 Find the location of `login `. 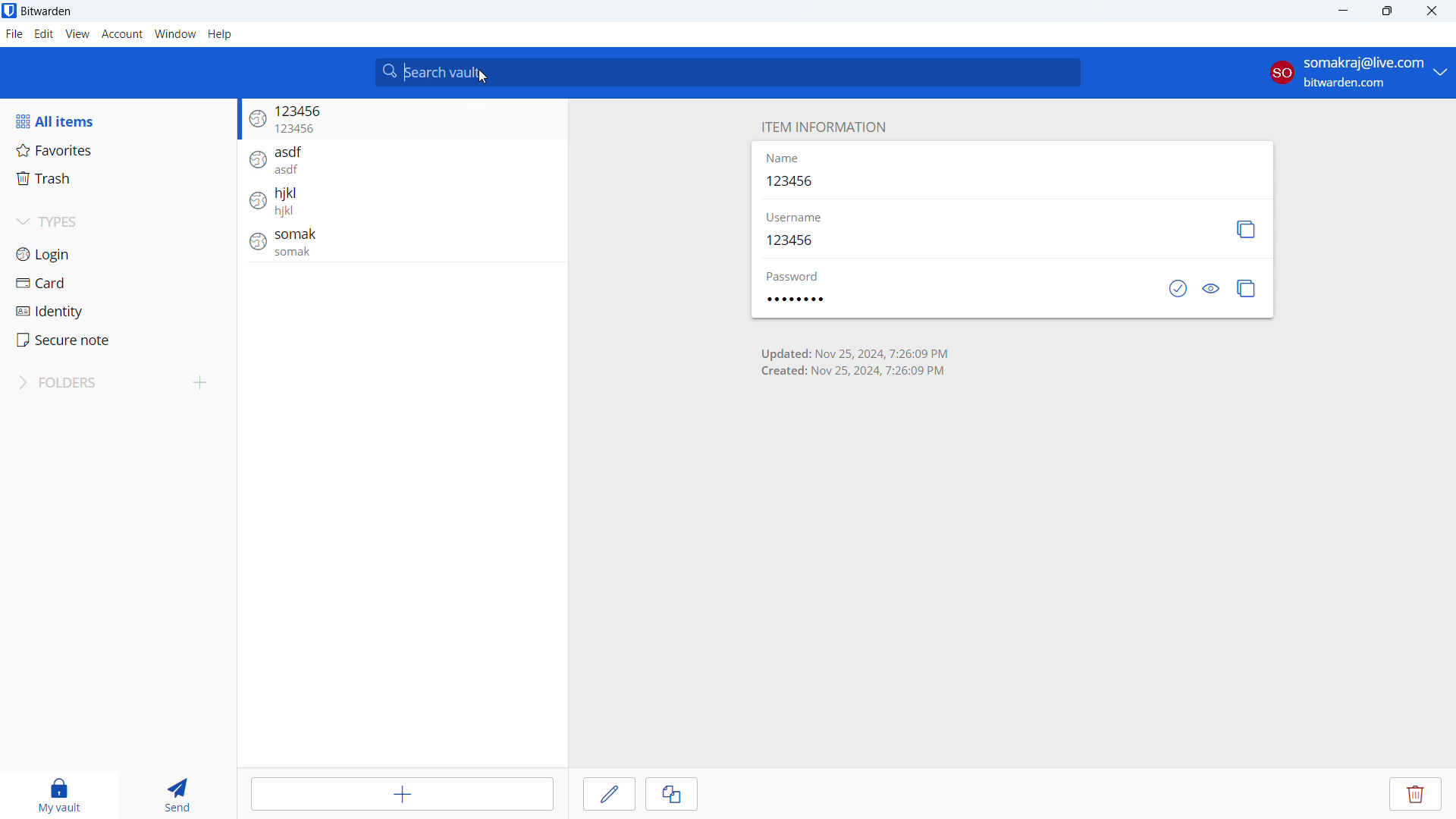

login  is located at coordinates (118, 254).